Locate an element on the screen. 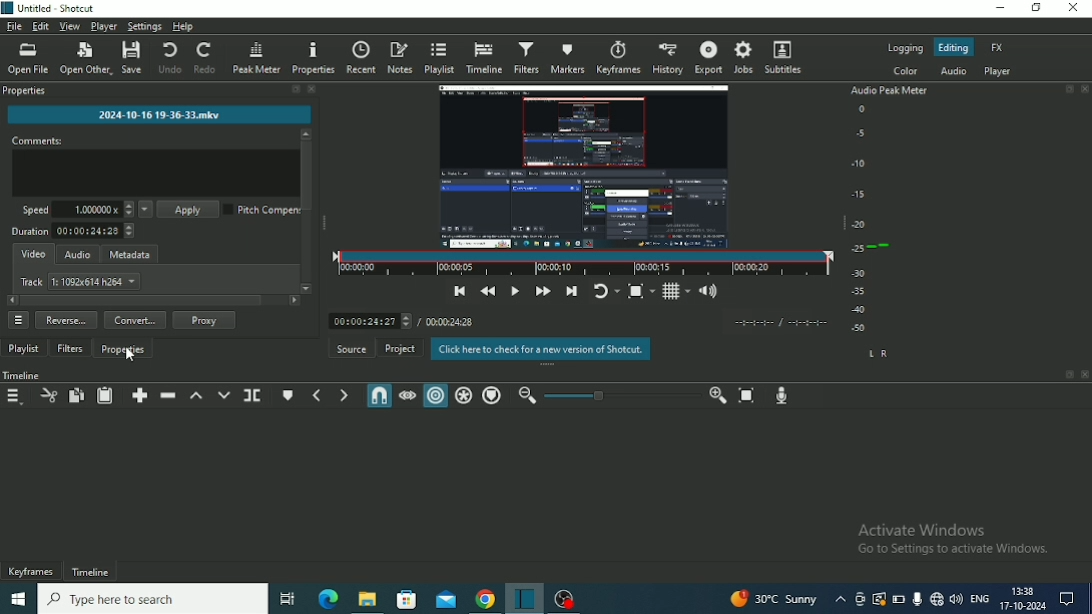  Previous Marker is located at coordinates (316, 395).